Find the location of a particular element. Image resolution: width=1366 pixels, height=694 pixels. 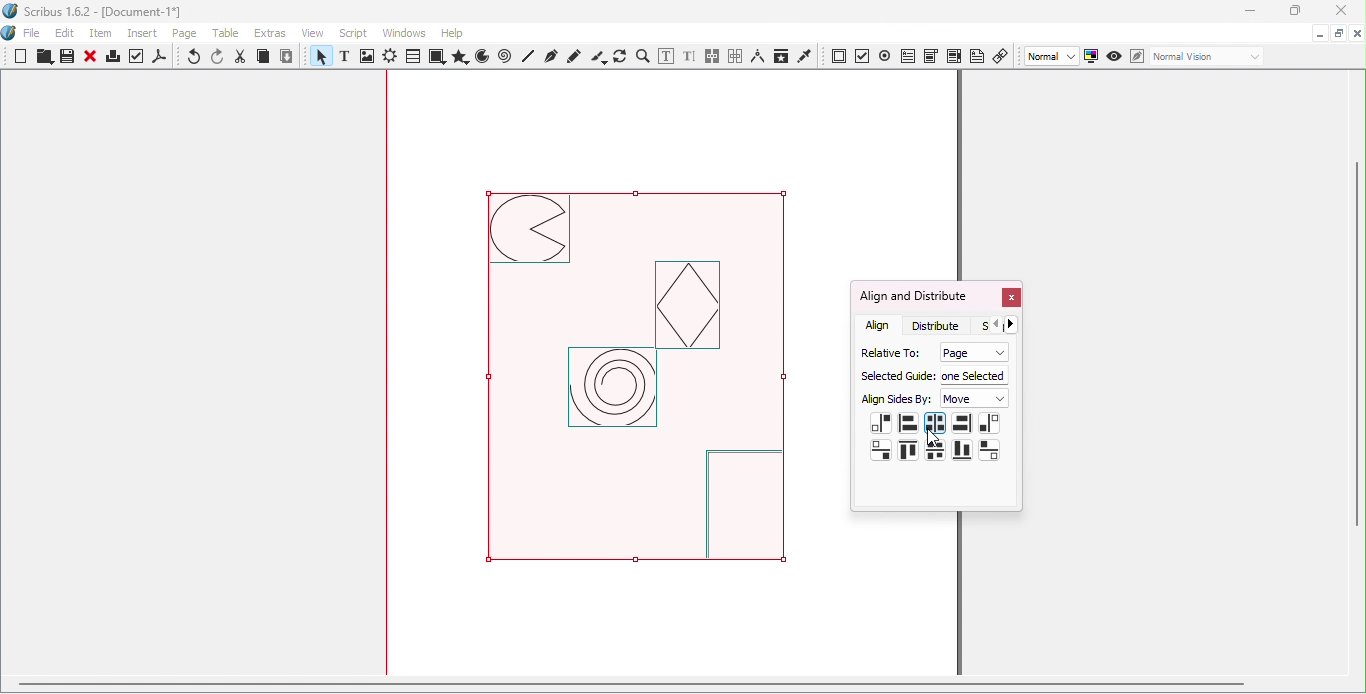

Edit in Preview mode is located at coordinates (1136, 55).